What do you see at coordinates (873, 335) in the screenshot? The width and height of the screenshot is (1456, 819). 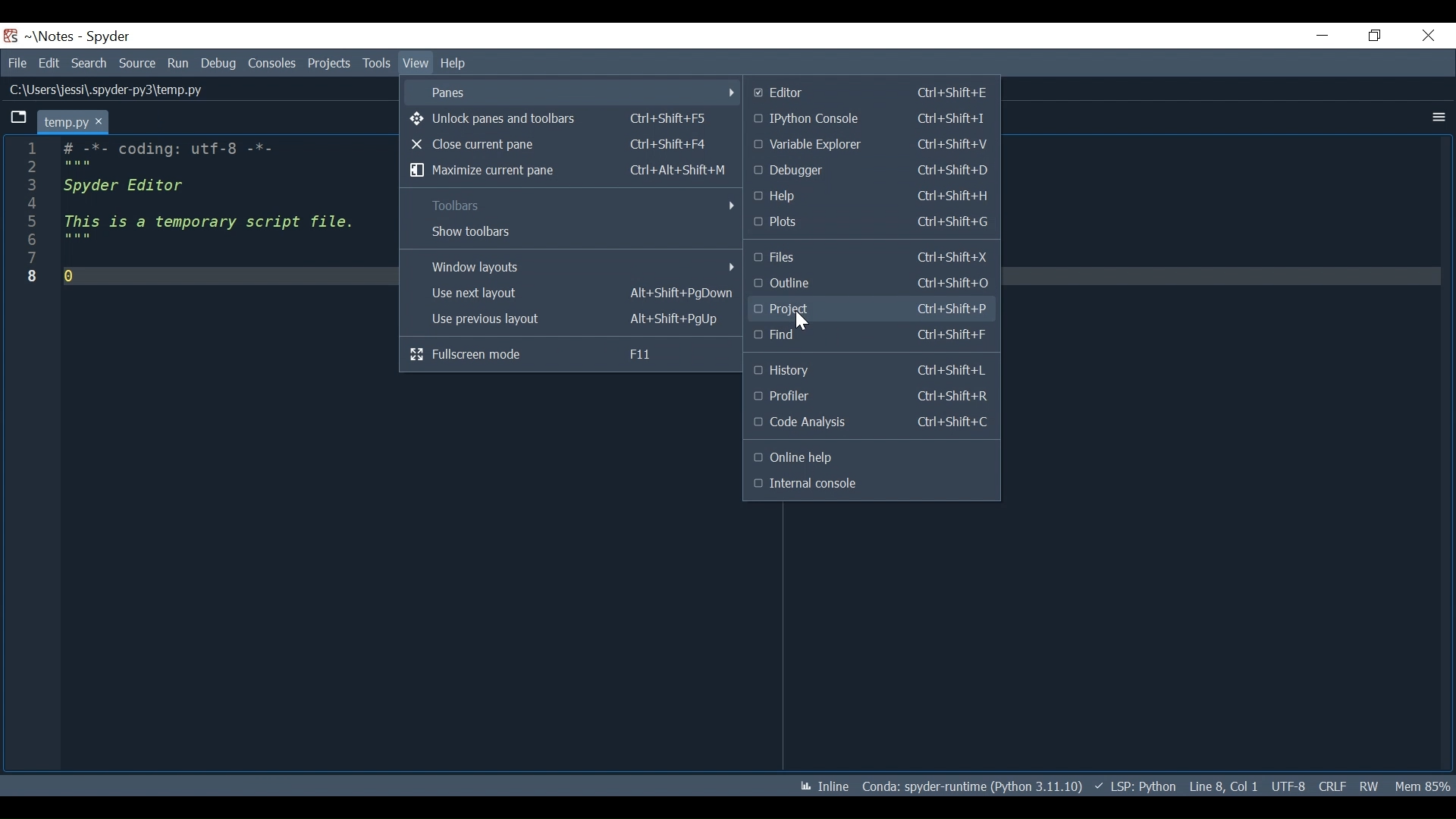 I see `Find` at bounding box center [873, 335].